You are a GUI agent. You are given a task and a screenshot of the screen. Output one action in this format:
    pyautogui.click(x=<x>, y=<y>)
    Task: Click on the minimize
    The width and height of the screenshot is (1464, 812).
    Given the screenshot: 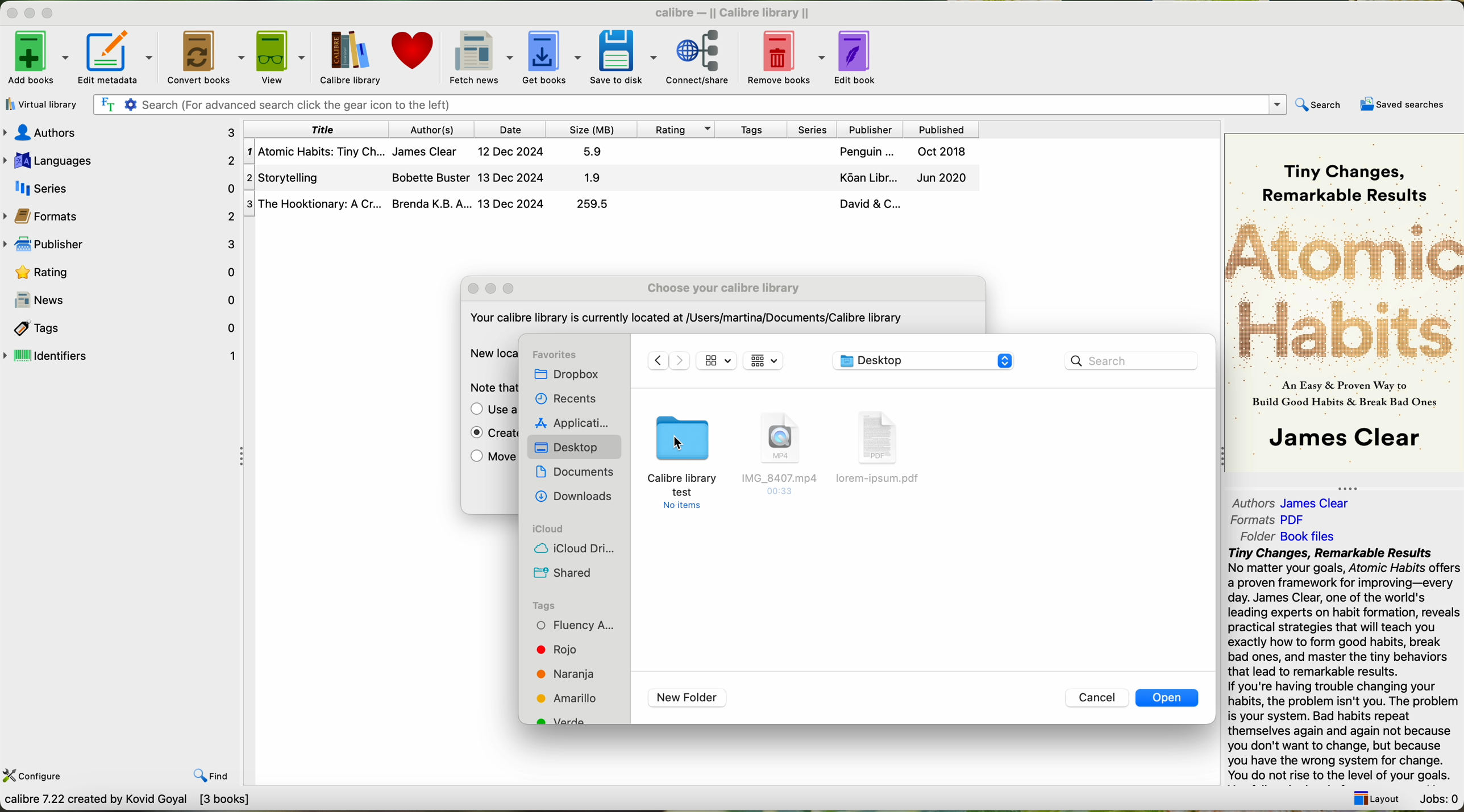 What is the action you would take?
    pyautogui.click(x=495, y=289)
    